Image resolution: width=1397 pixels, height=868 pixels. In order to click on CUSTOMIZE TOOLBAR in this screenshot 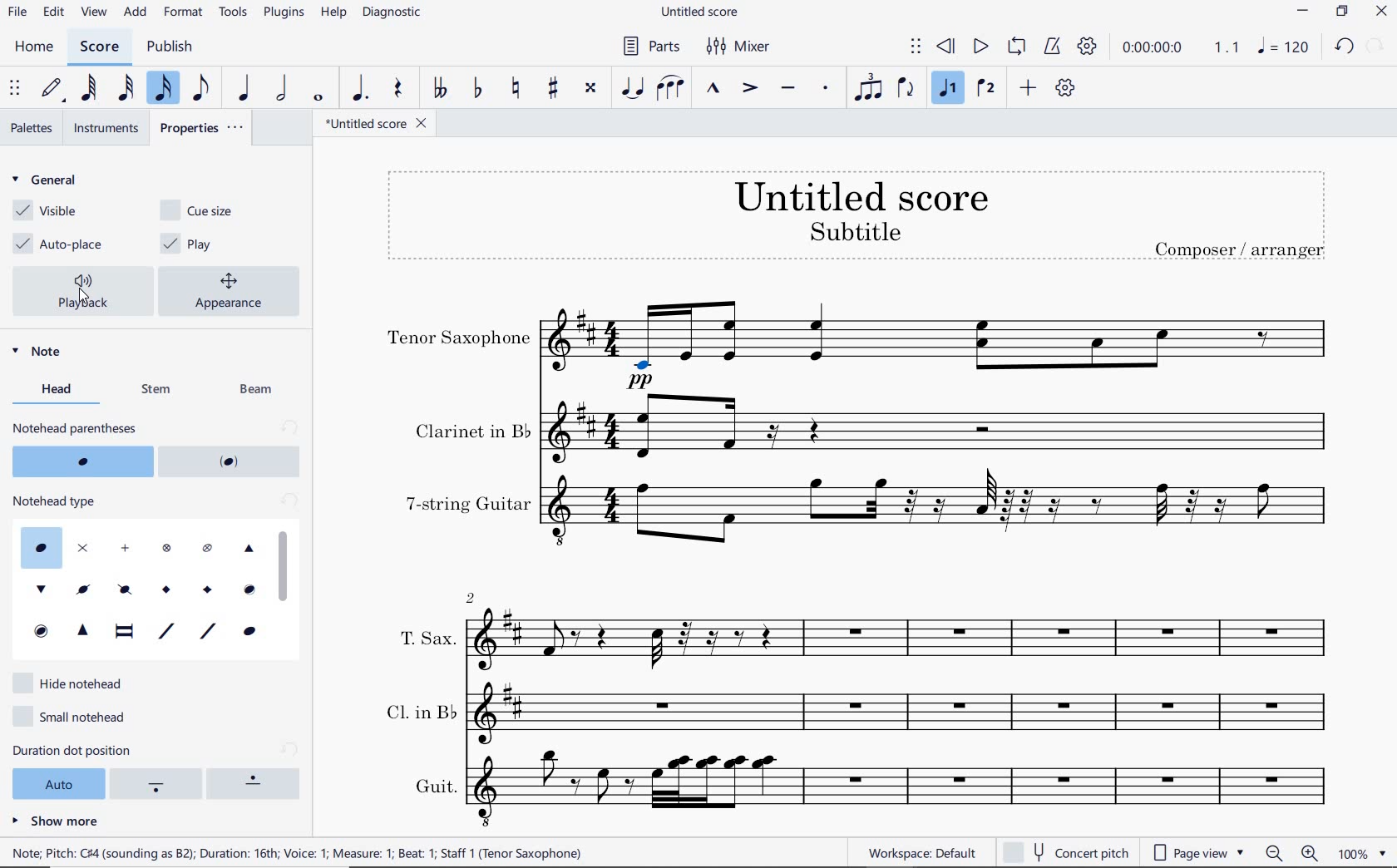, I will do `click(1064, 87)`.